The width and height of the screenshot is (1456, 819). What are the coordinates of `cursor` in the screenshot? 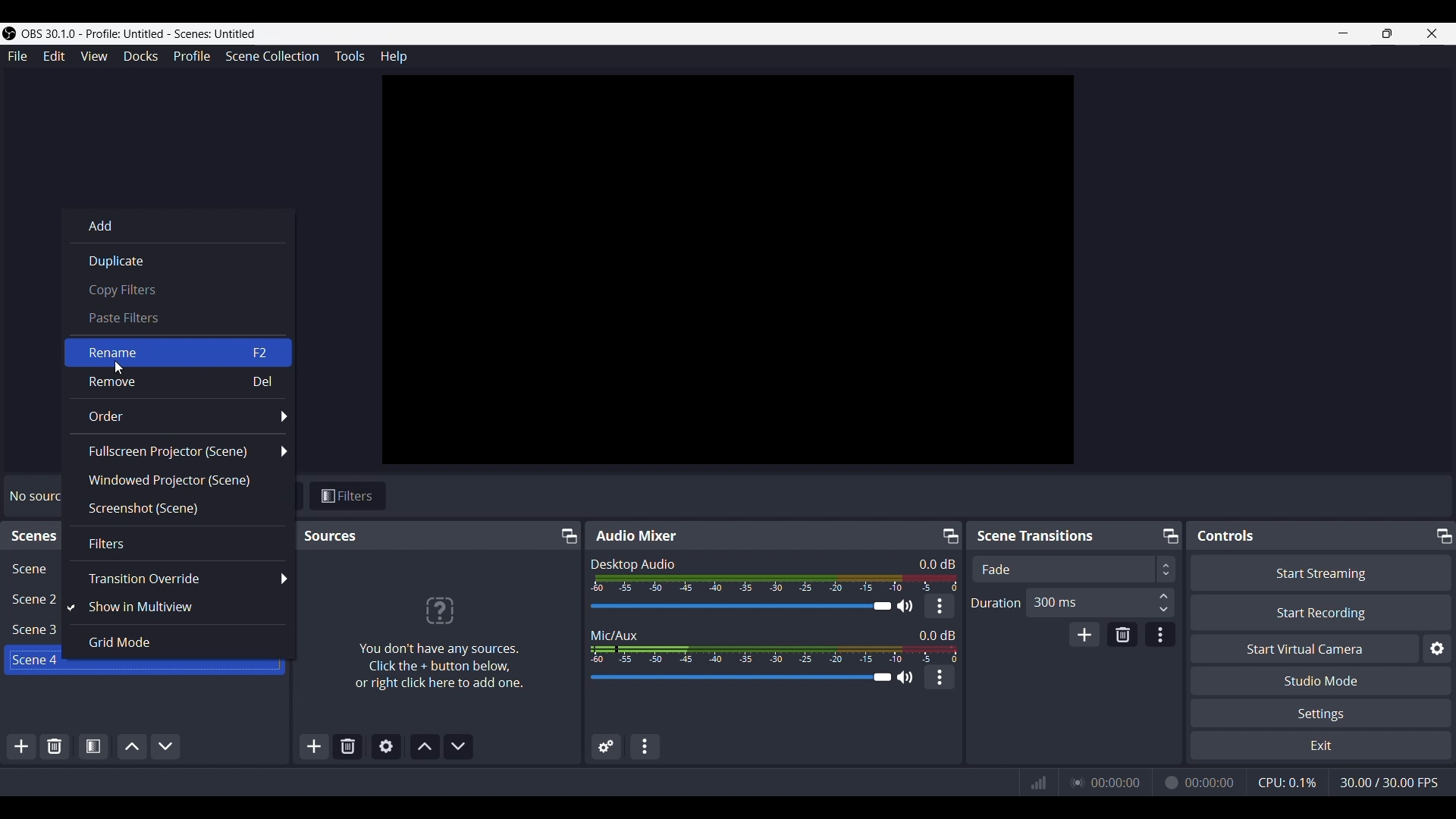 It's located at (119, 368).